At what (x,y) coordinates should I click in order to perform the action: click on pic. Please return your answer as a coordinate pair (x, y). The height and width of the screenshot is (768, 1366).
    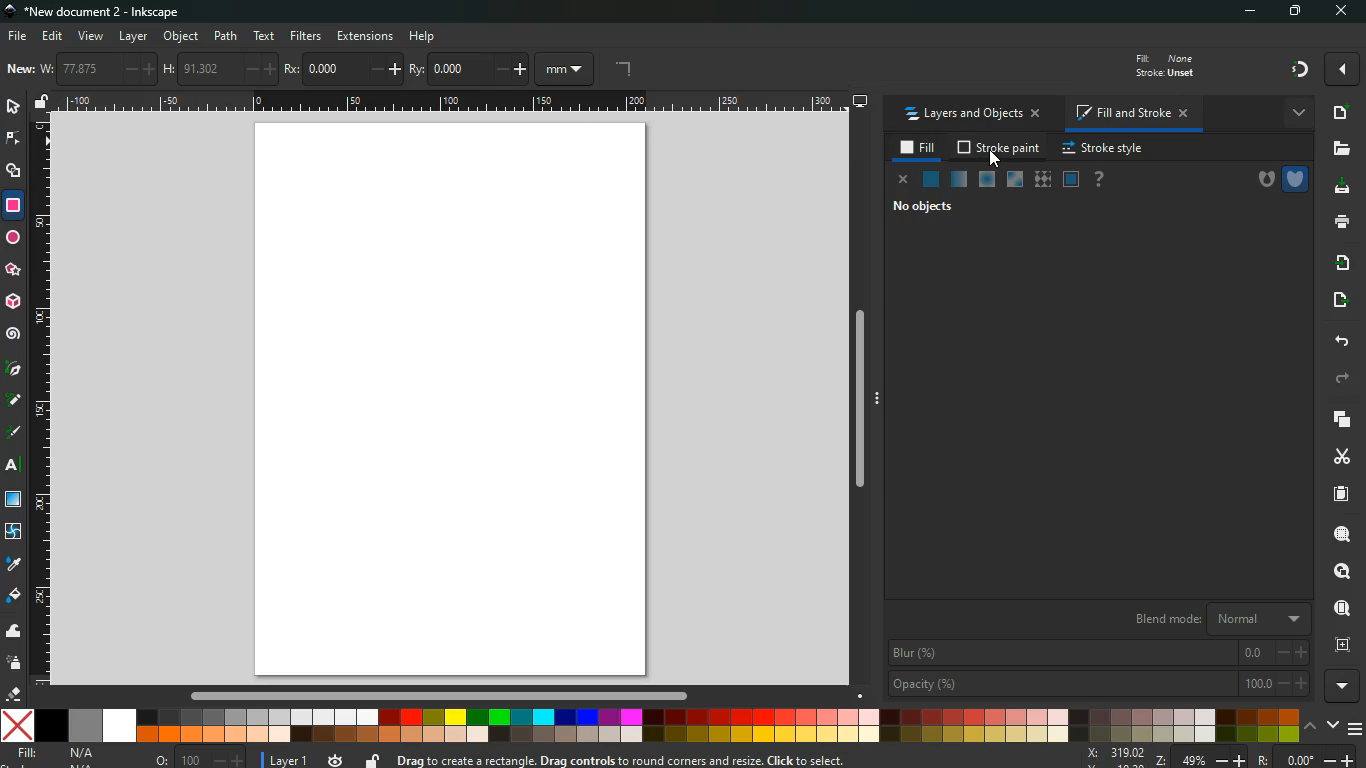
    Looking at the image, I should click on (15, 370).